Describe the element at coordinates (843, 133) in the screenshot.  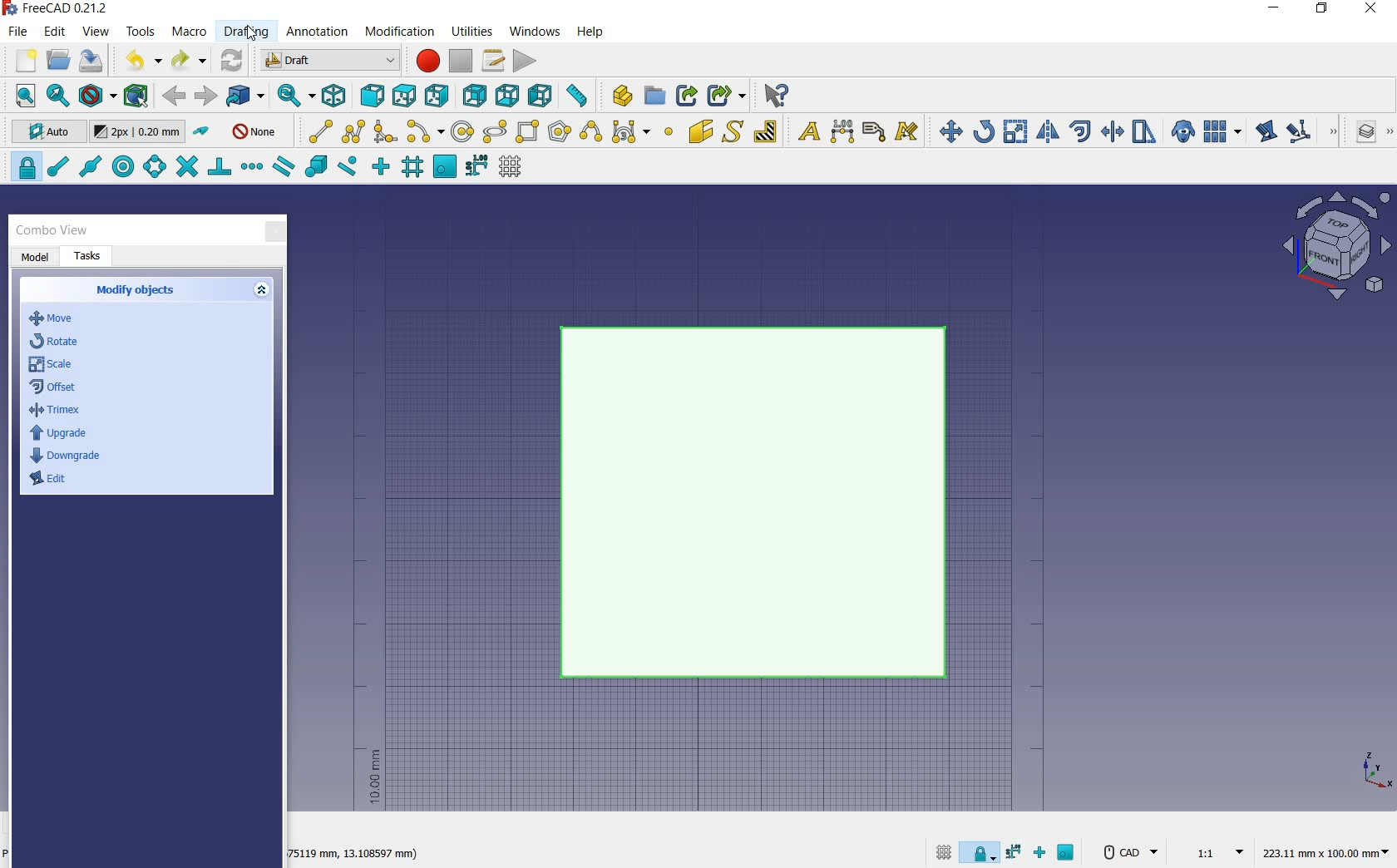
I see `dimension` at that location.